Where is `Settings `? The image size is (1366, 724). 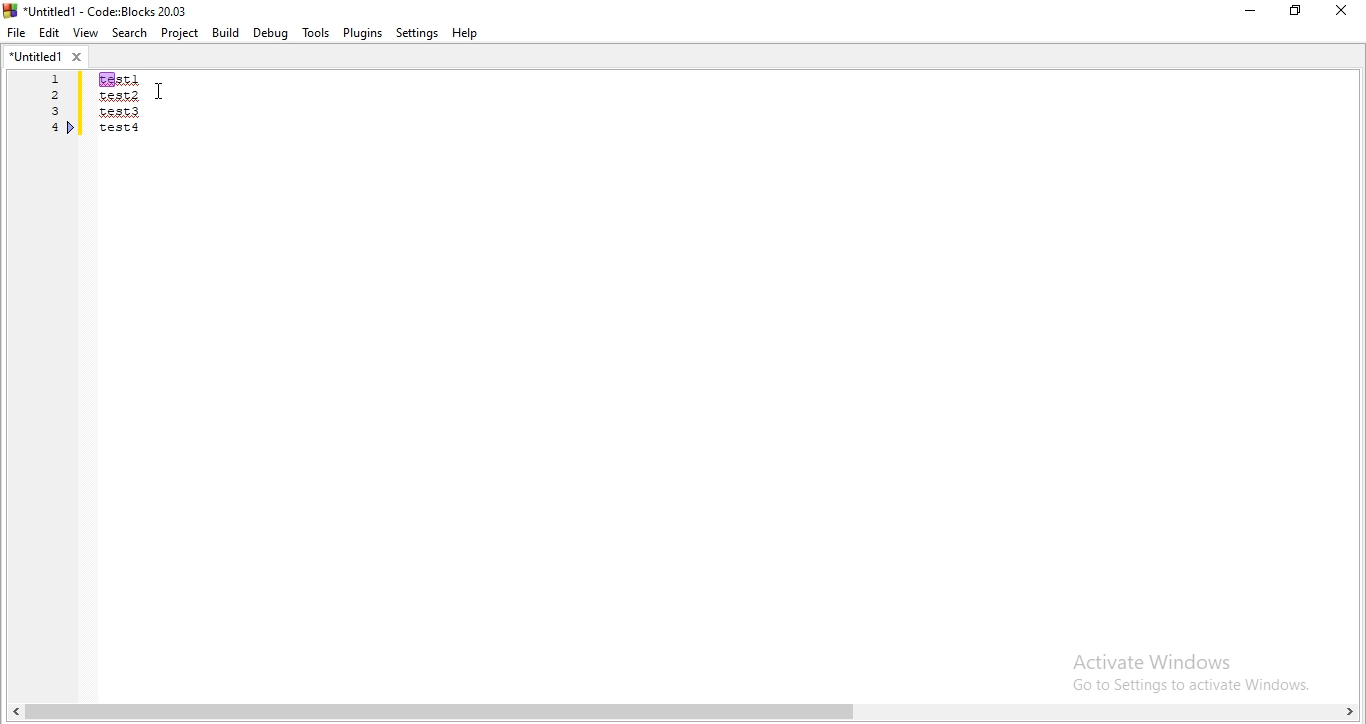 Settings  is located at coordinates (419, 33).